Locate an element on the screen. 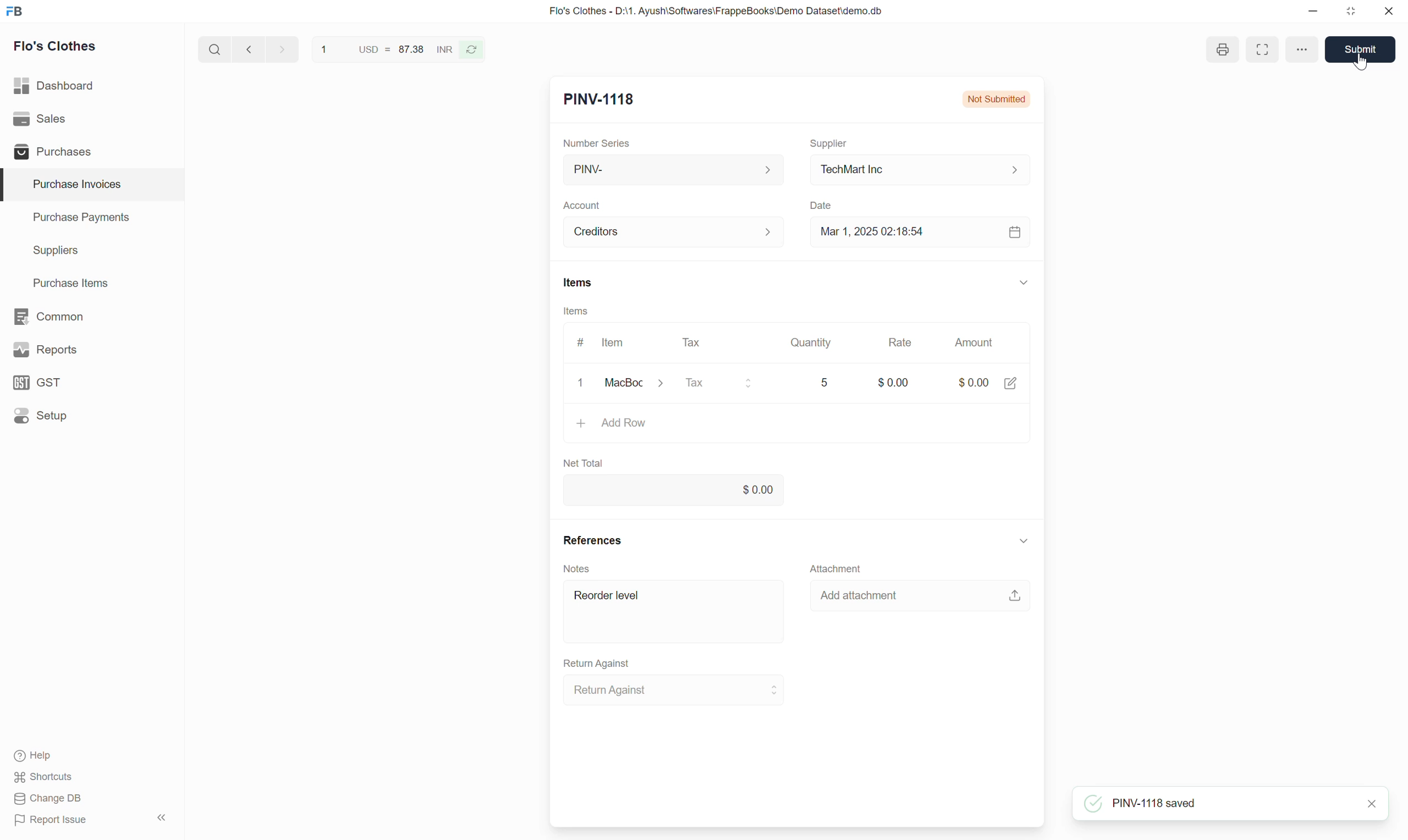  Reverse is located at coordinates (472, 50).